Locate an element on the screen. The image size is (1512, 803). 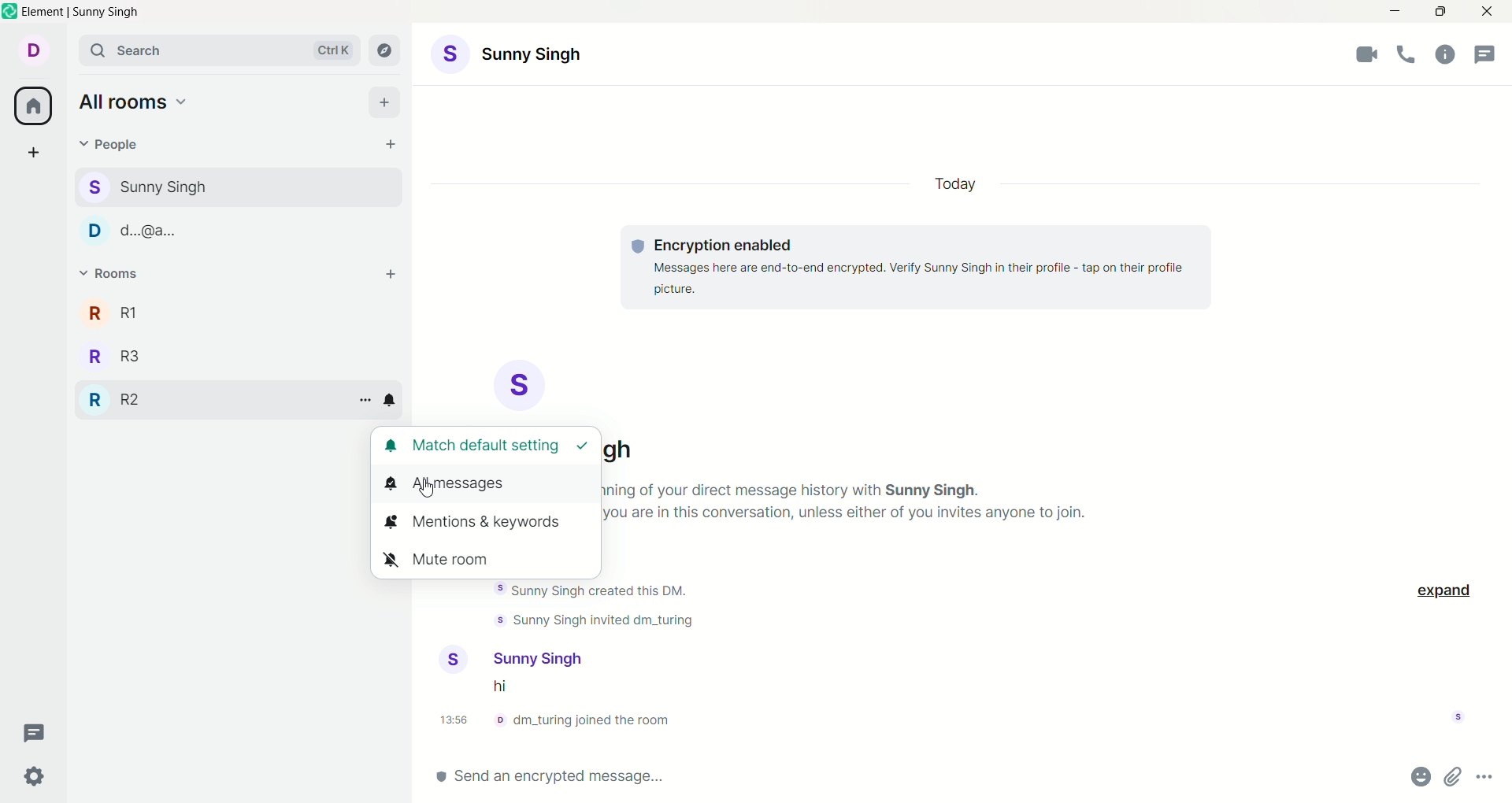
video call is located at coordinates (1367, 57).